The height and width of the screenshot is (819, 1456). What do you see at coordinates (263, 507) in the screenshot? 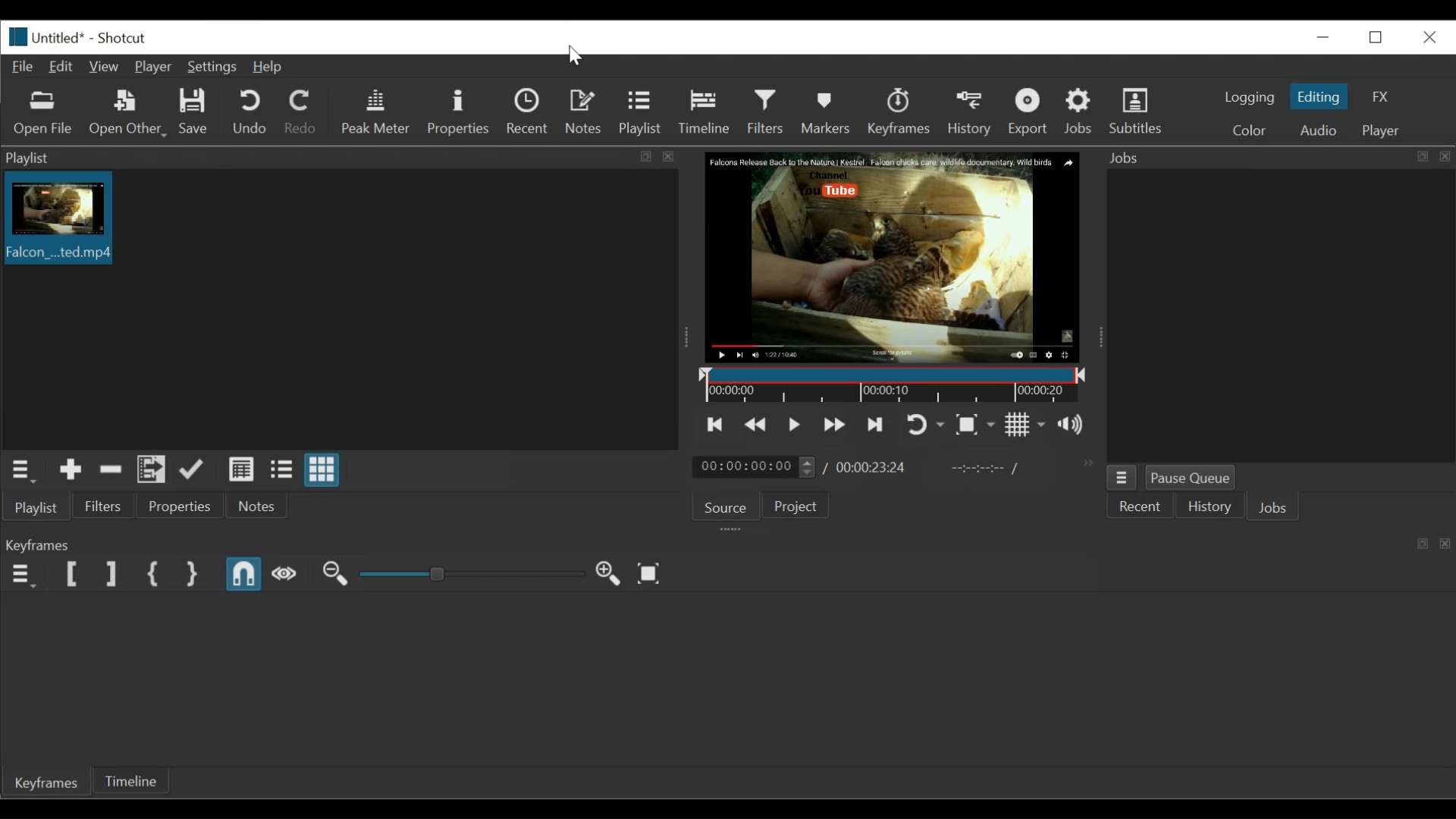
I see `Notes` at bounding box center [263, 507].